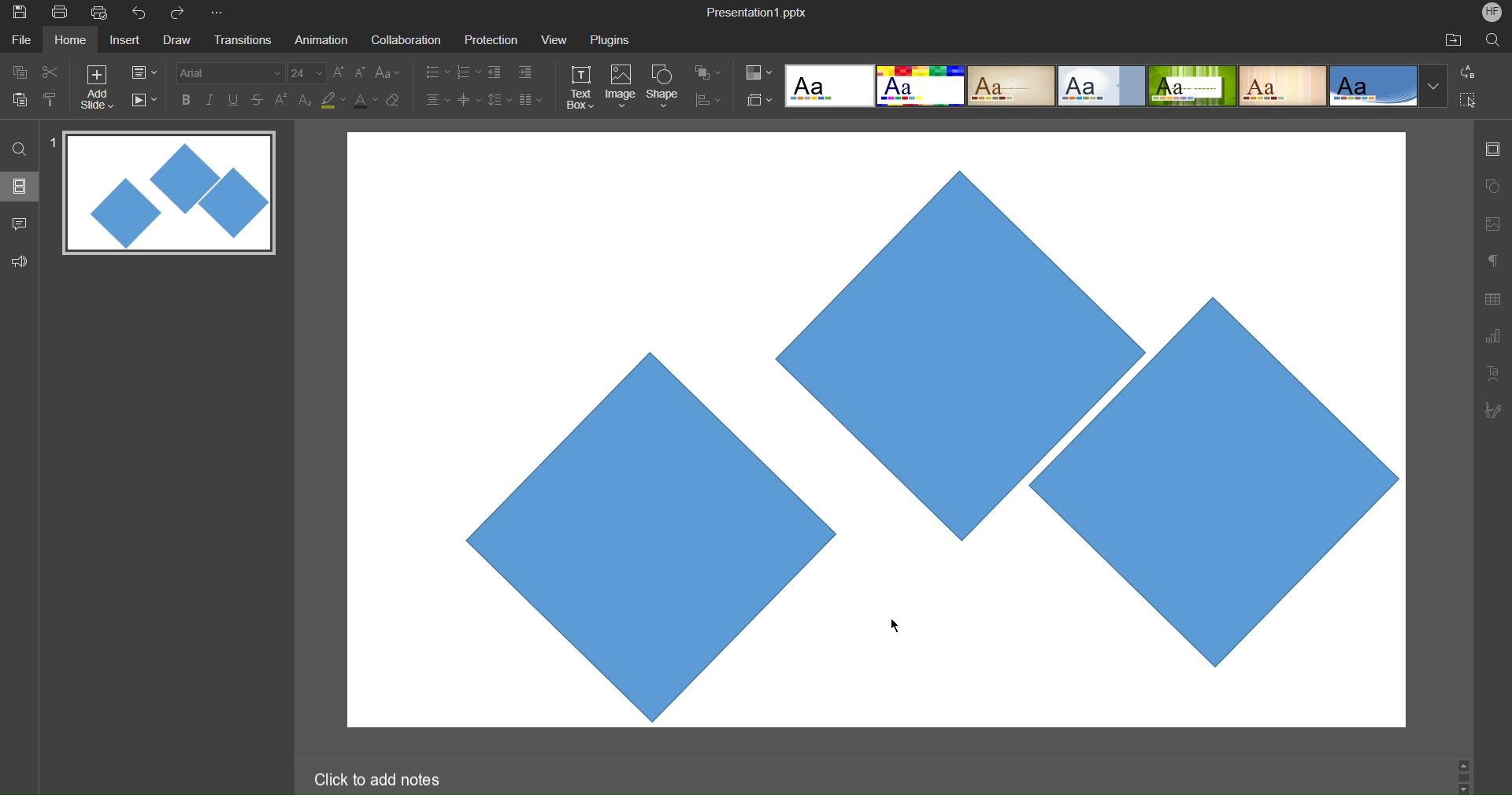 The image size is (1512, 795). Describe the element at coordinates (165, 194) in the screenshot. I see `slide 1` at that location.